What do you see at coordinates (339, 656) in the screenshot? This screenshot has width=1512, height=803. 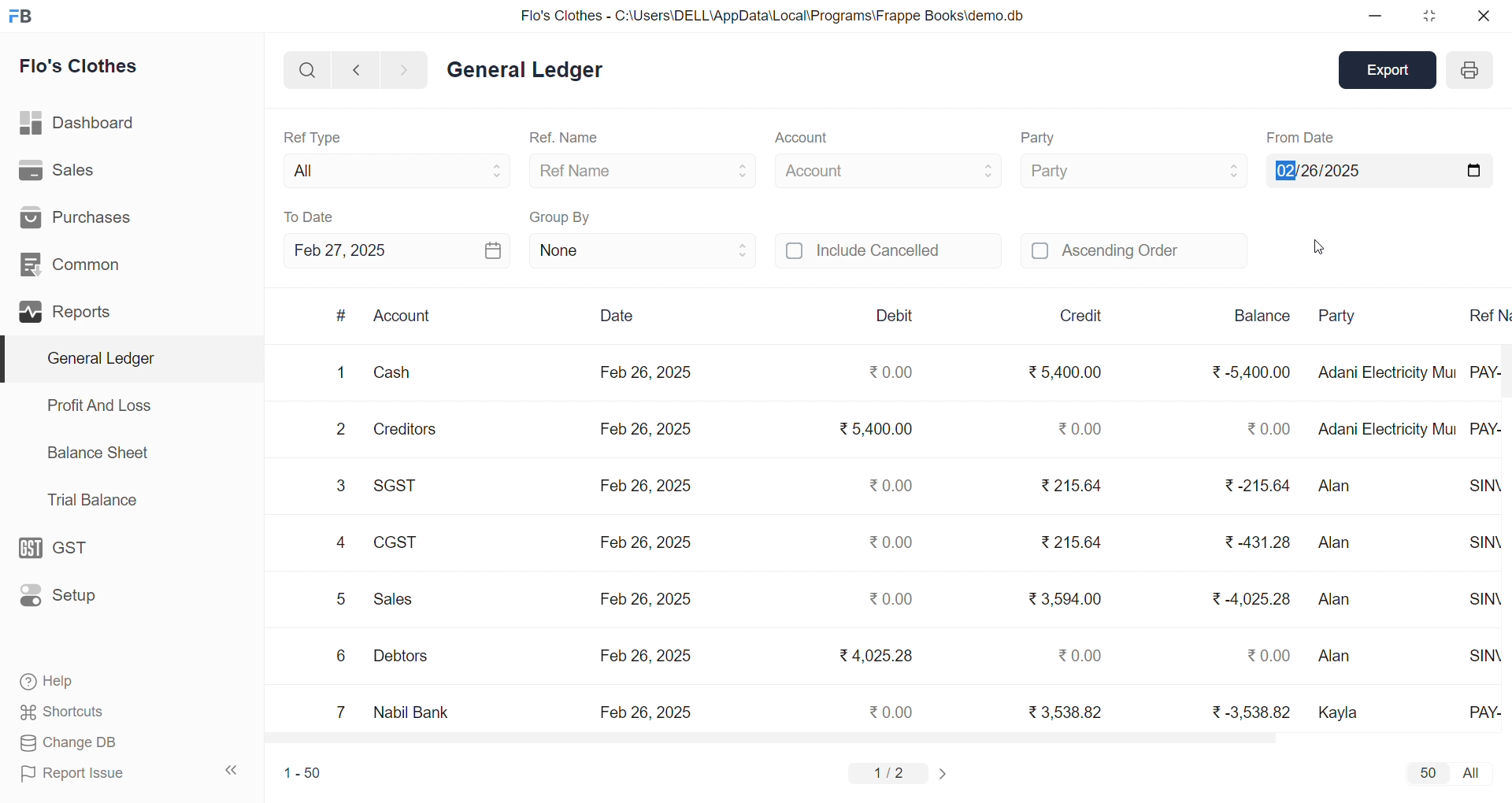 I see `6` at bounding box center [339, 656].